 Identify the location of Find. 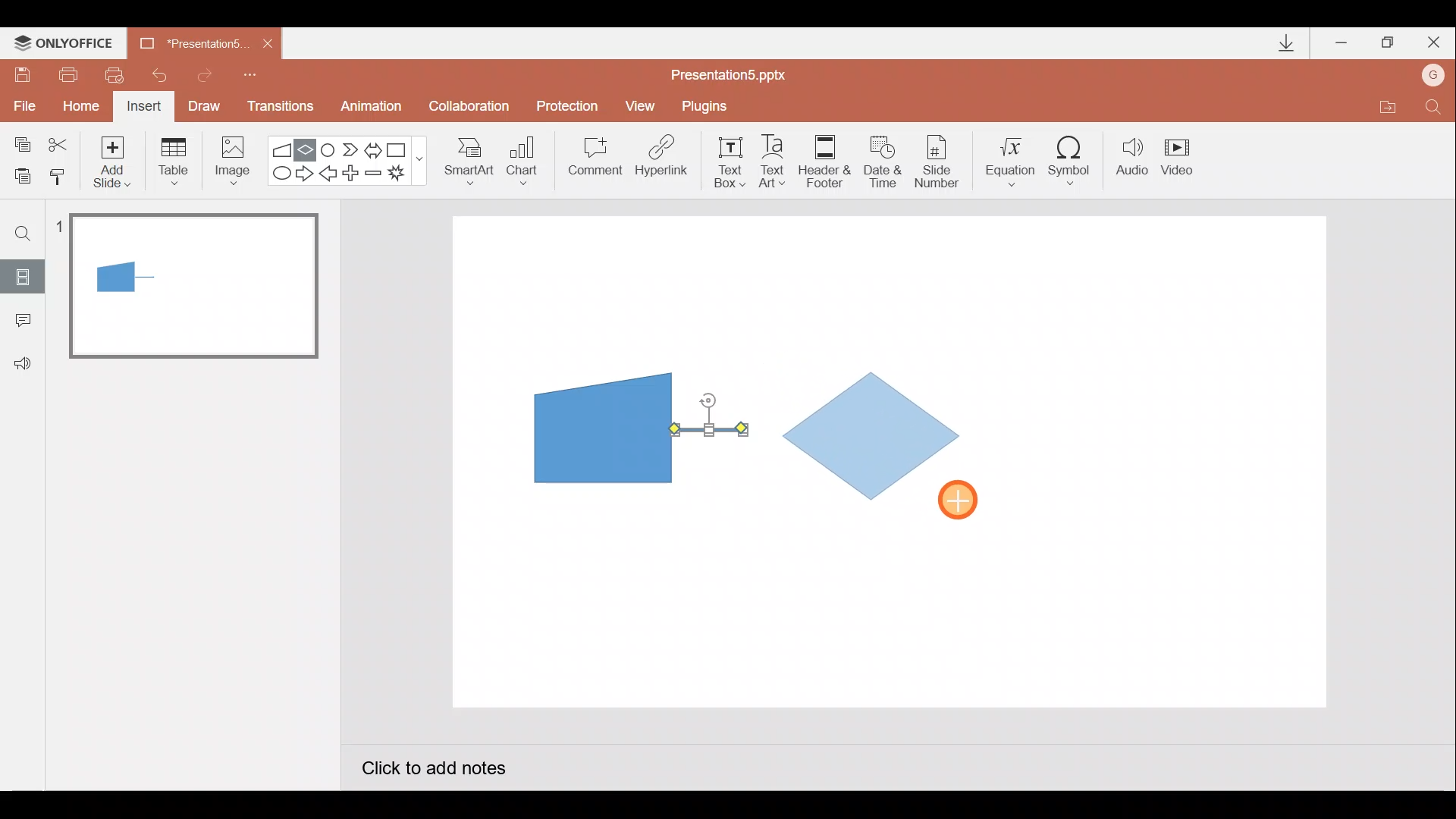
(1433, 111).